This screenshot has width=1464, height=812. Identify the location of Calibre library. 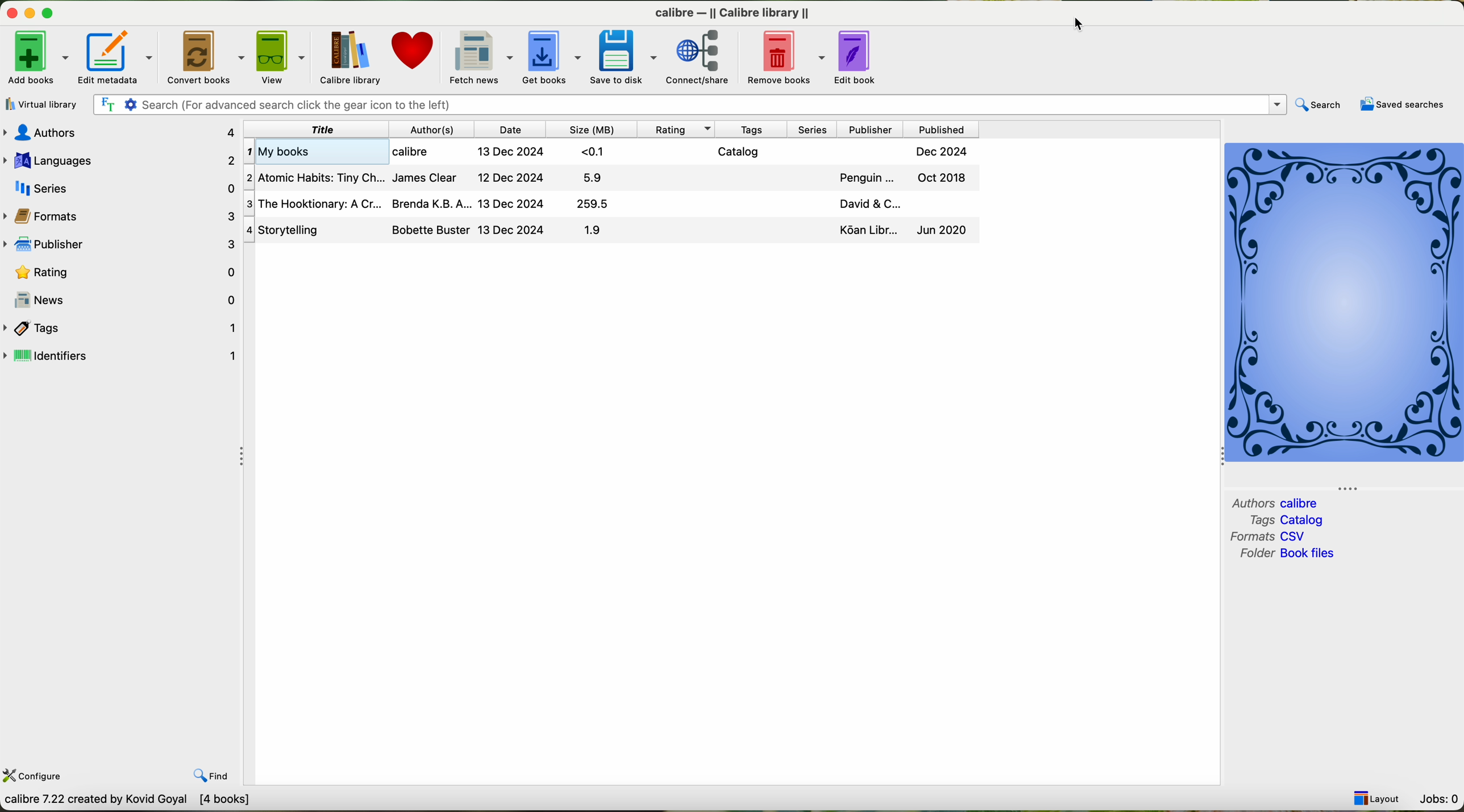
(348, 58).